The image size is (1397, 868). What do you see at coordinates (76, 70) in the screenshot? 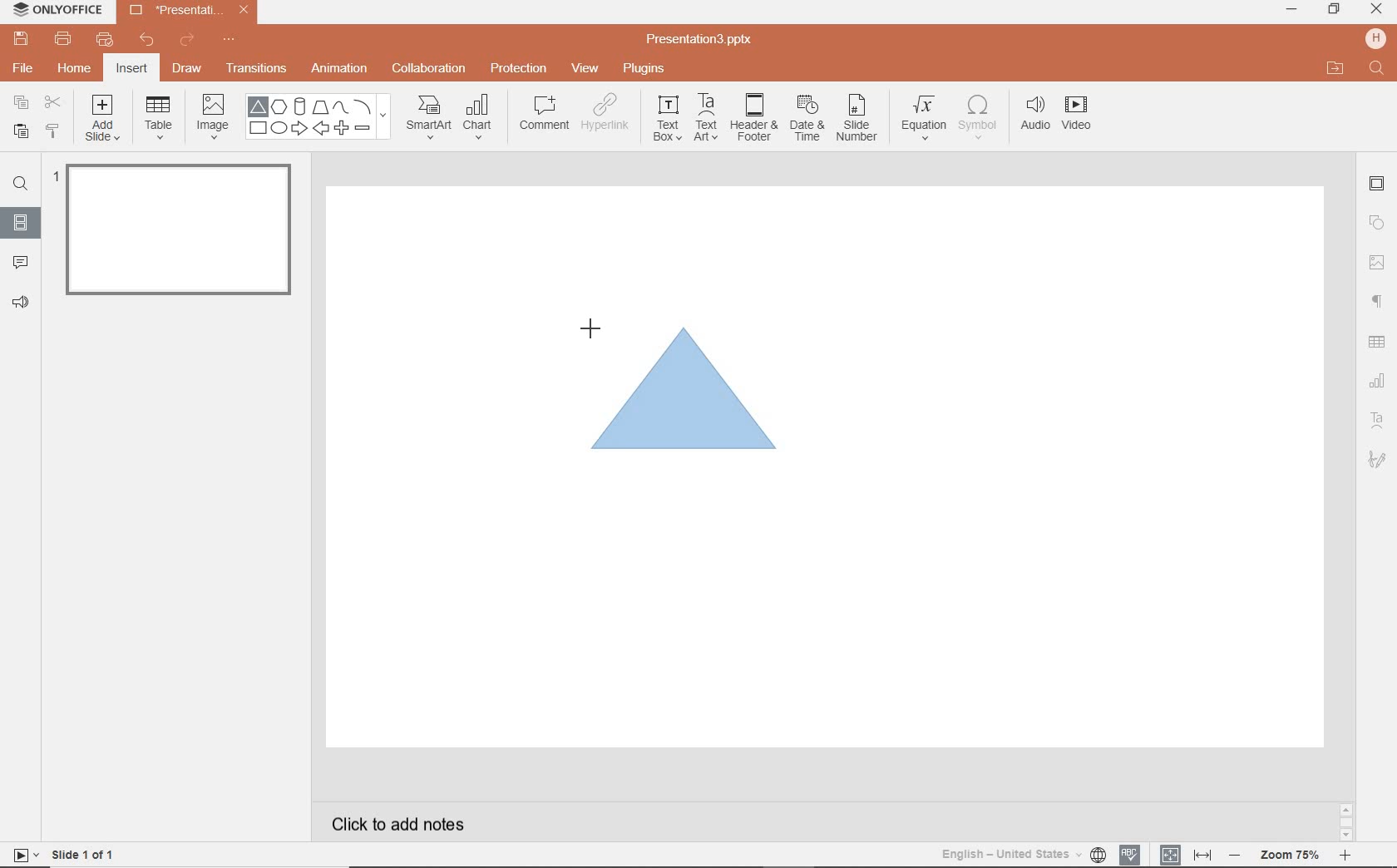
I see `HOME` at bounding box center [76, 70].